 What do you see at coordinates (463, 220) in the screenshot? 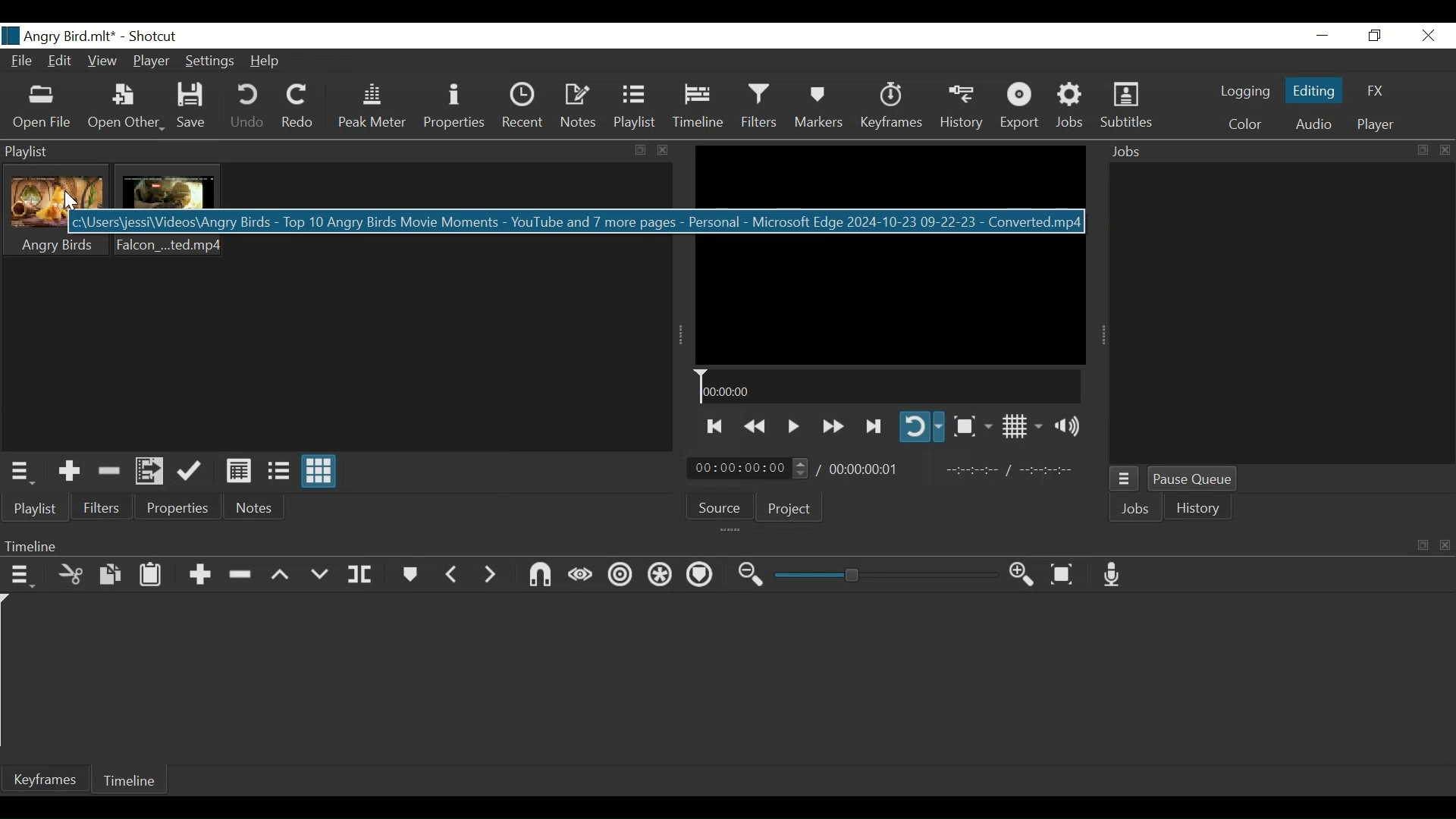
I see `location` at bounding box center [463, 220].